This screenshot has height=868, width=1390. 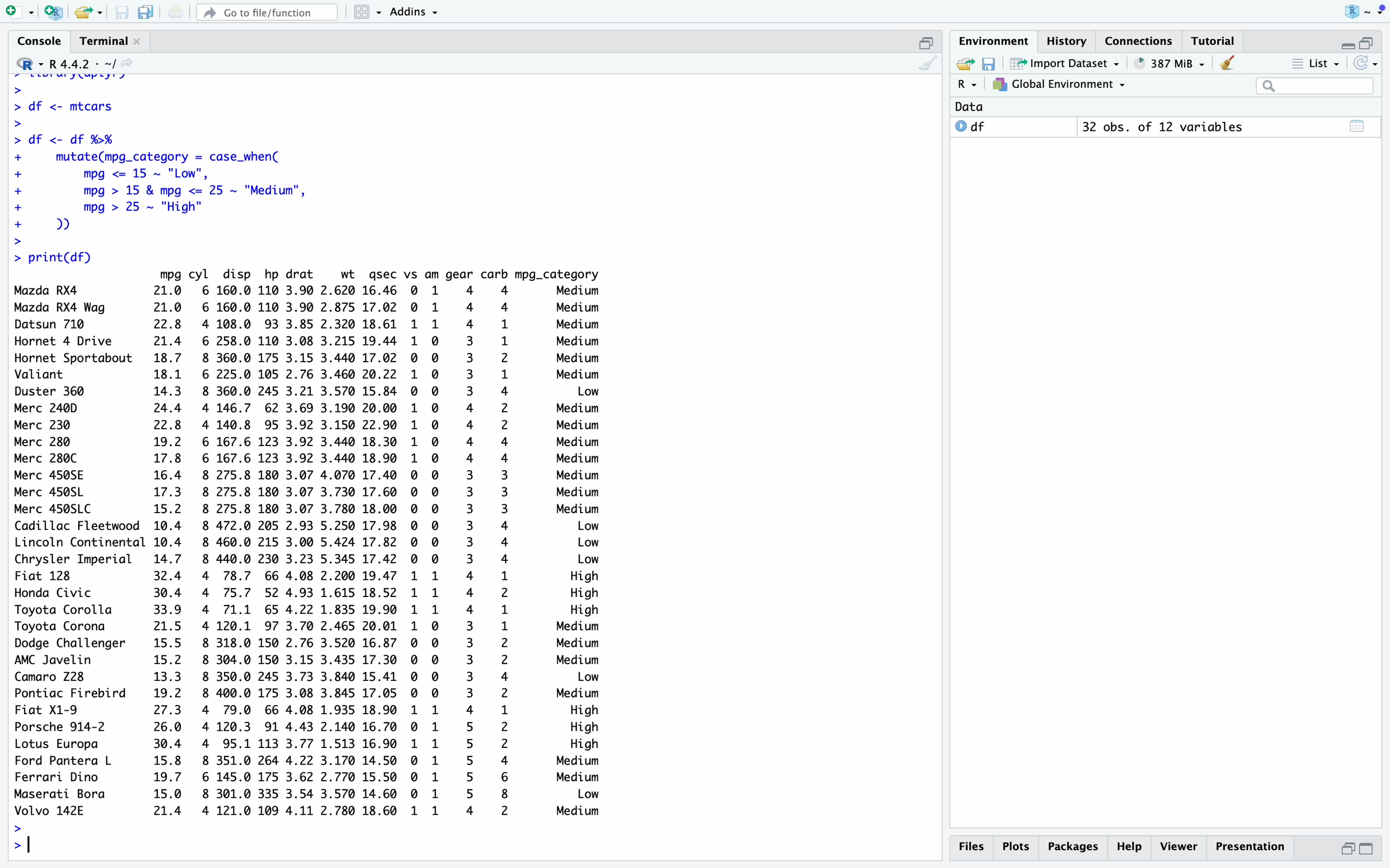 I want to click on close, so click(x=137, y=41).